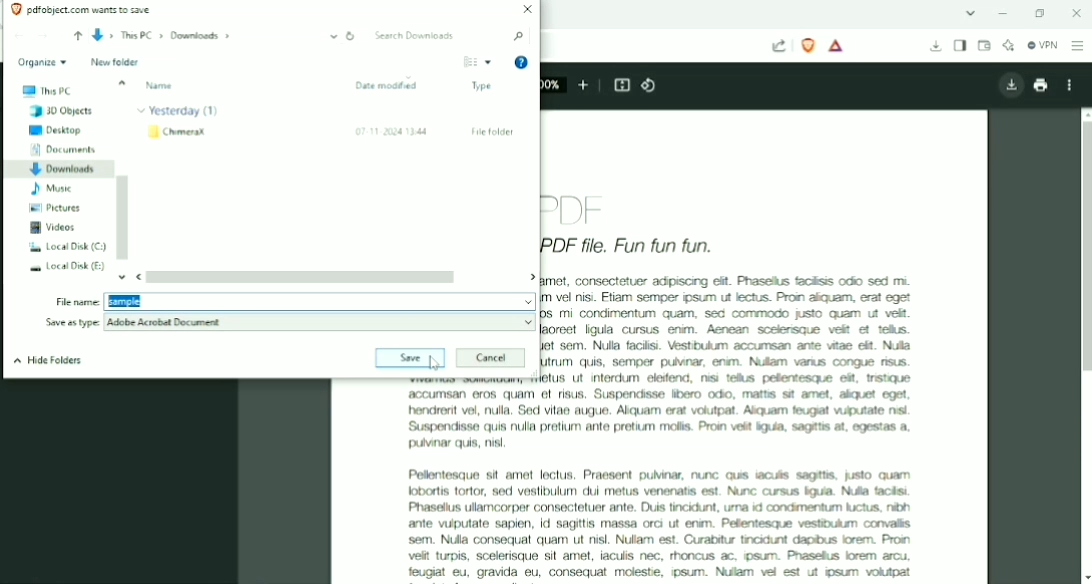  Describe the element at coordinates (20, 36) in the screenshot. I see `Back` at that location.